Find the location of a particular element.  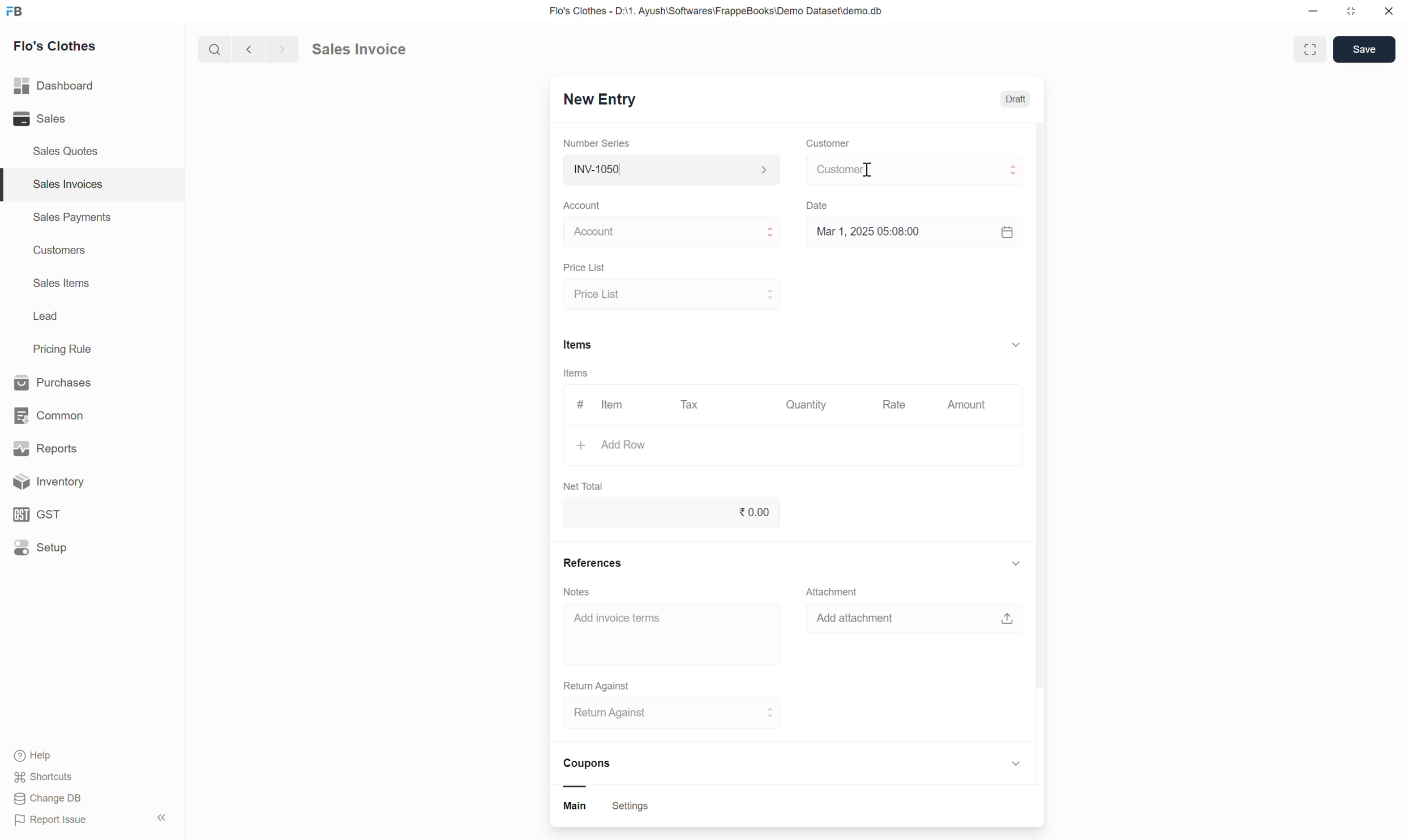

Rate is located at coordinates (896, 406).